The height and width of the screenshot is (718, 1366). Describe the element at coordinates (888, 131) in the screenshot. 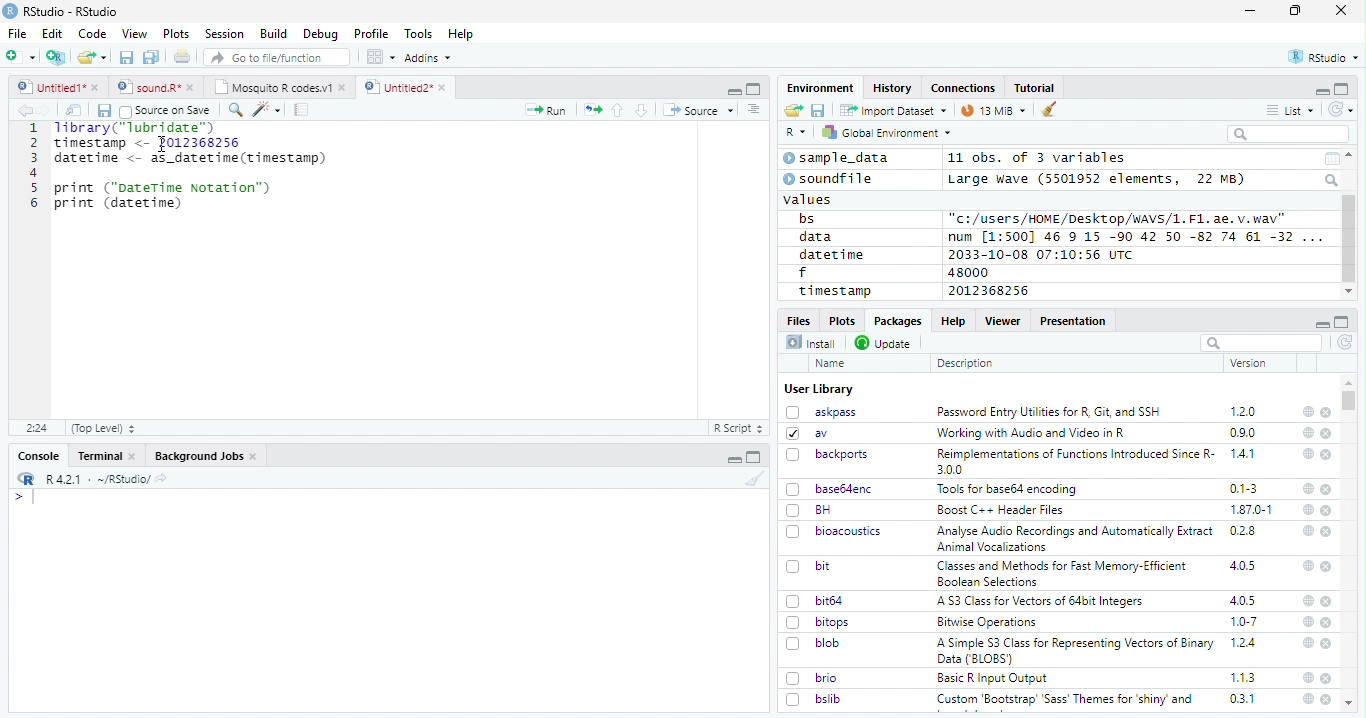

I see `Global Environment` at that location.